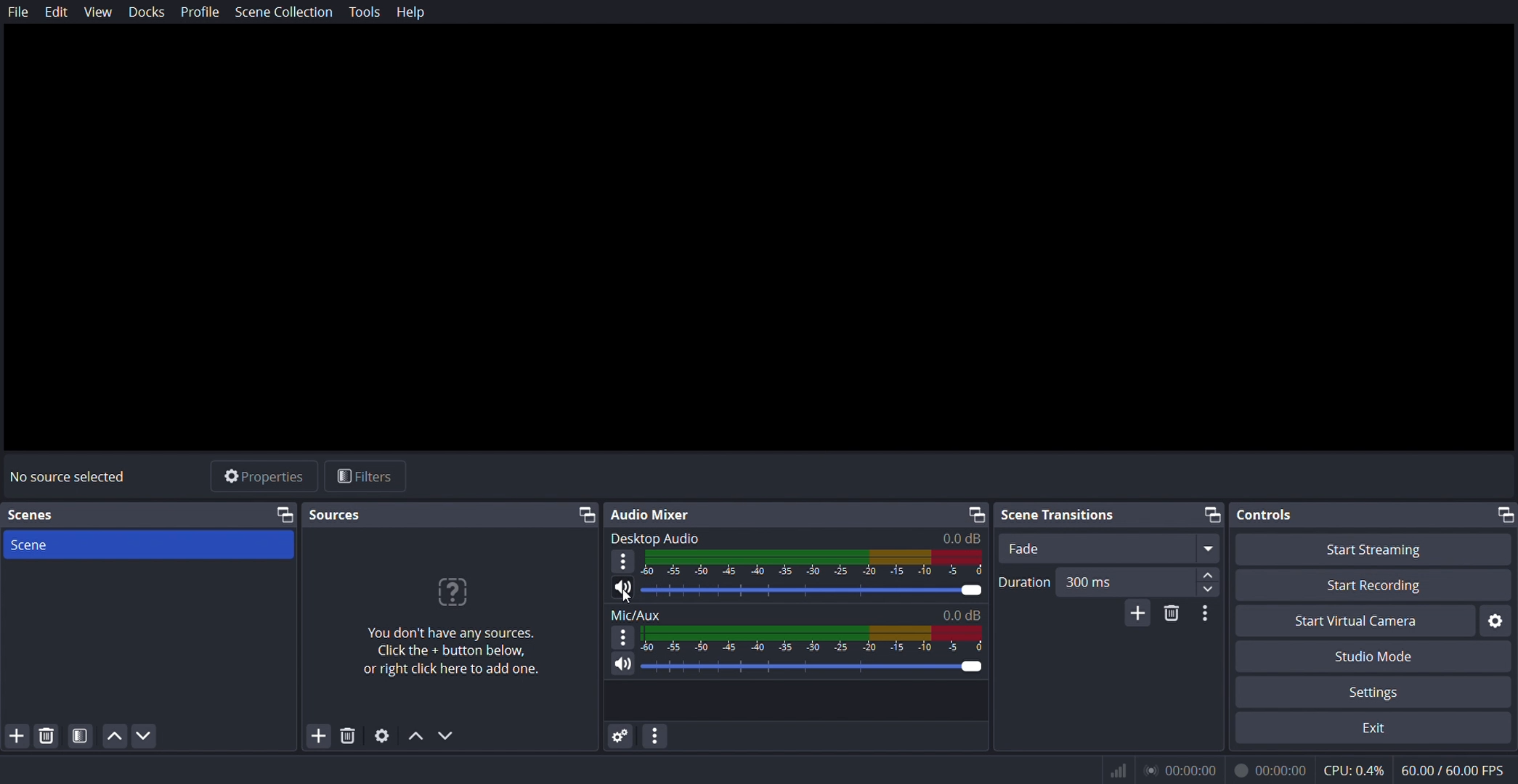  What do you see at coordinates (800, 538) in the screenshot?
I see `desktop audio` at bounding box center [800, 538].